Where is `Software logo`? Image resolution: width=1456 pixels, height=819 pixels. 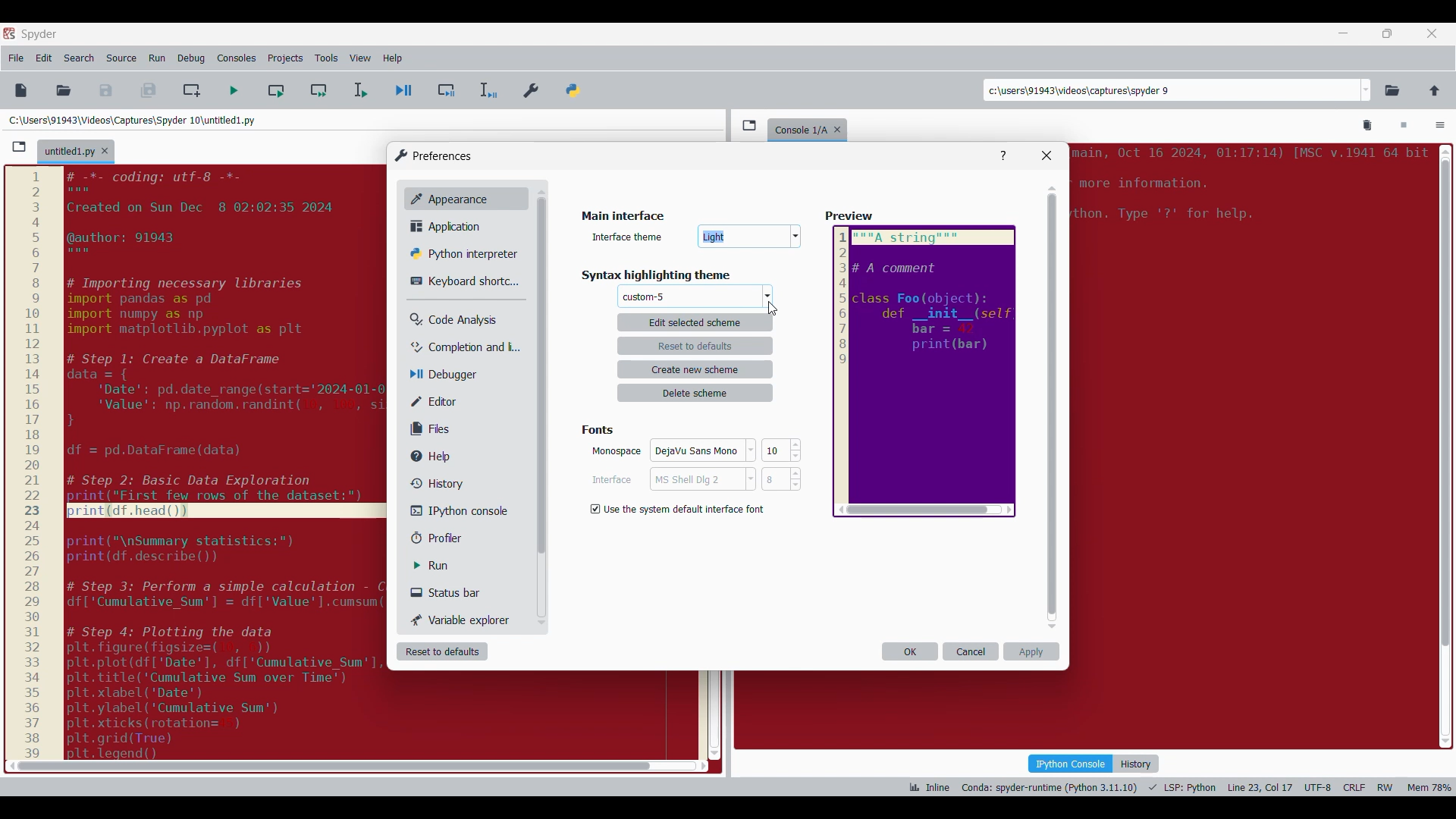 Software logo is located at coordinates (9, 33).